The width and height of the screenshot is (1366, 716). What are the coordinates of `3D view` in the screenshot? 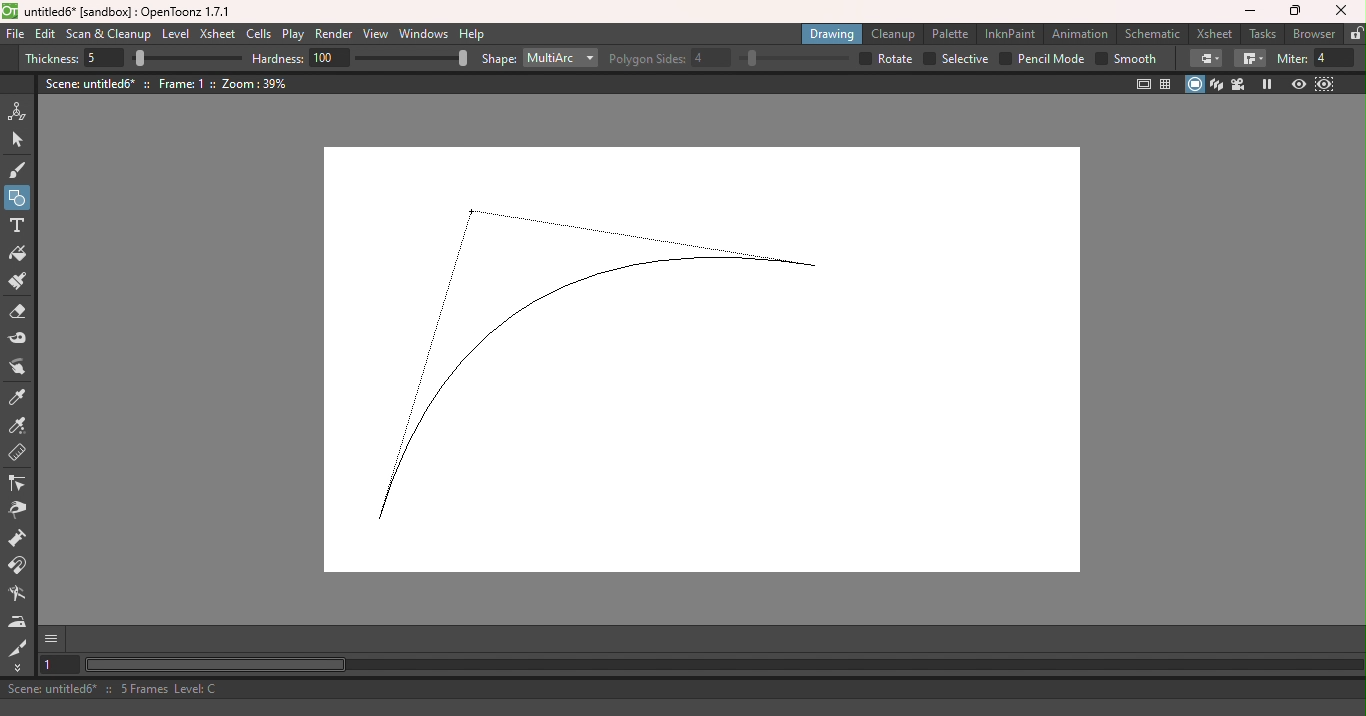 It's located at (1217, 84).